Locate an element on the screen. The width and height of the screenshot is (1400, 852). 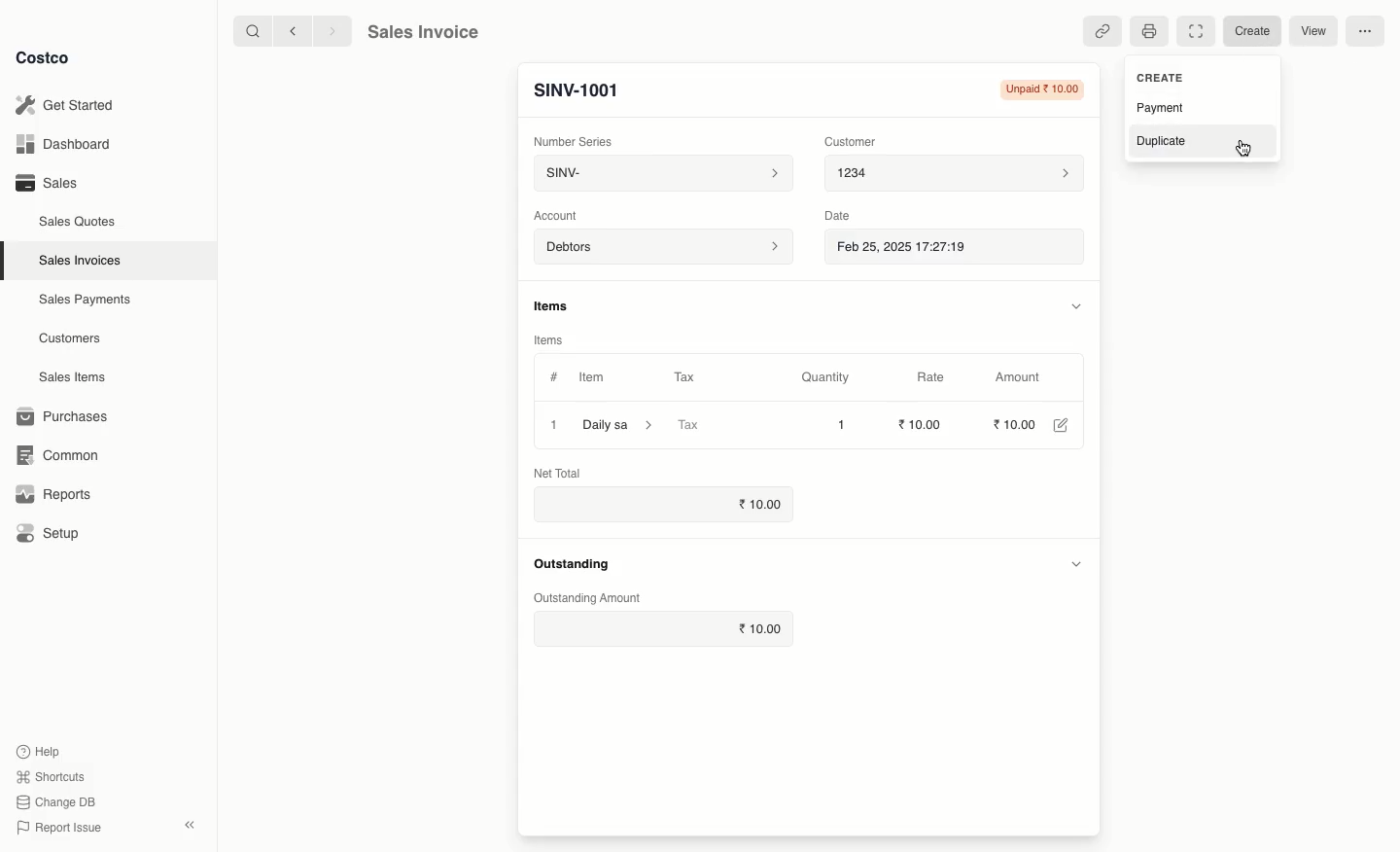
More options is located at coordinates (1367, 29).